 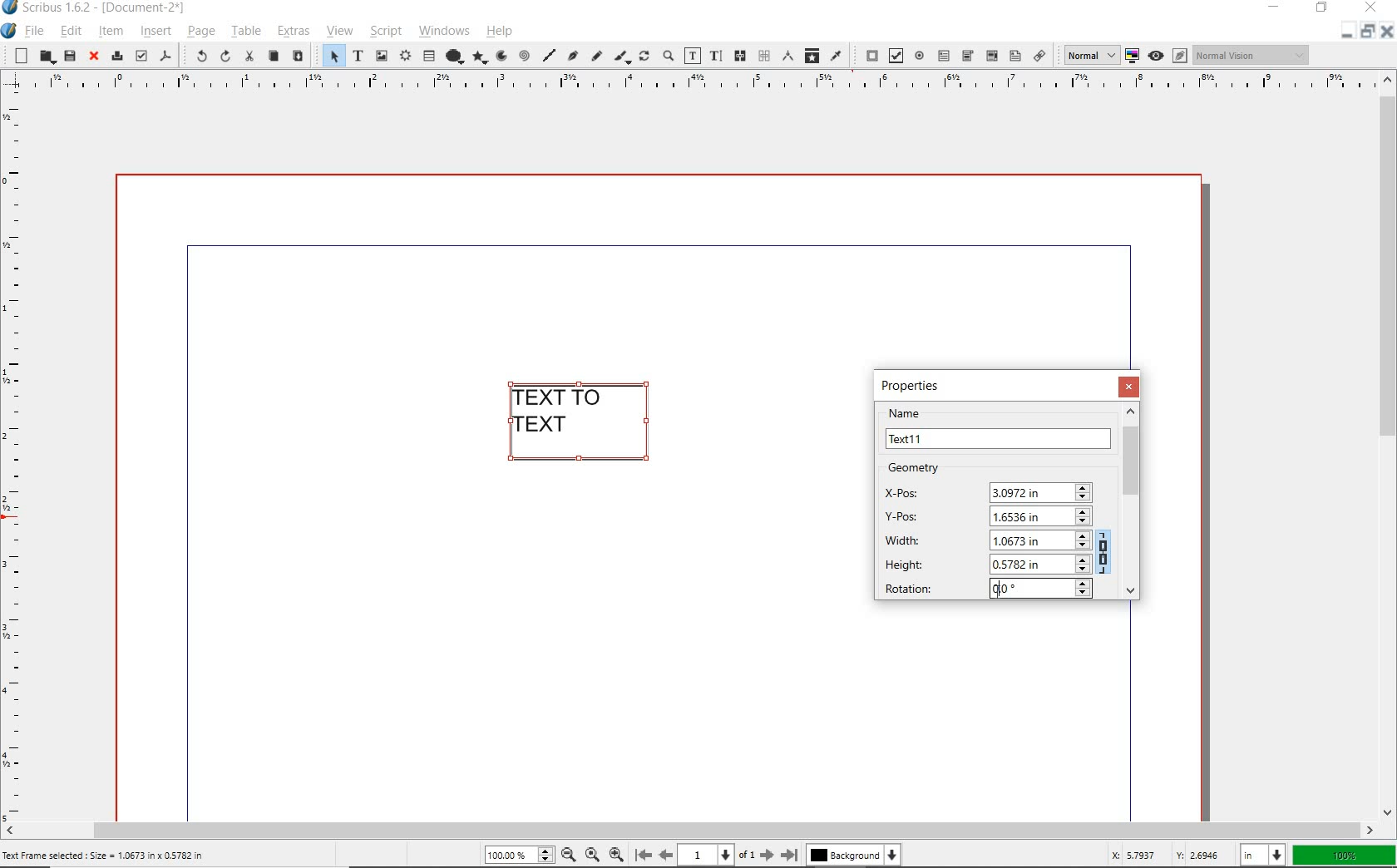 I want to click on shape, so click(x=454, y=55).